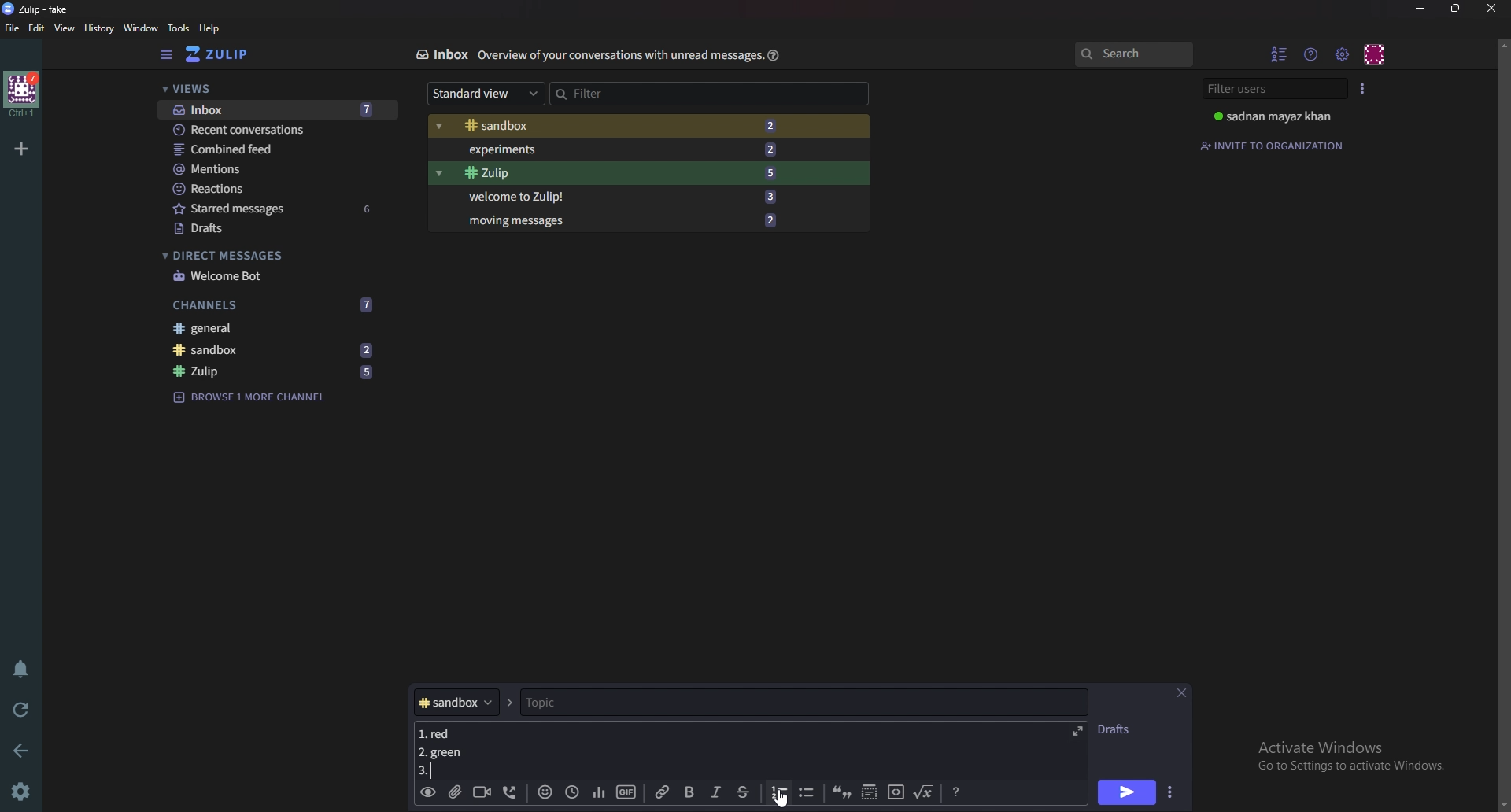  What do you see at coordinates (273, 187) in the screenshot?
I see `Reactions` at bounding box center [273, 187].